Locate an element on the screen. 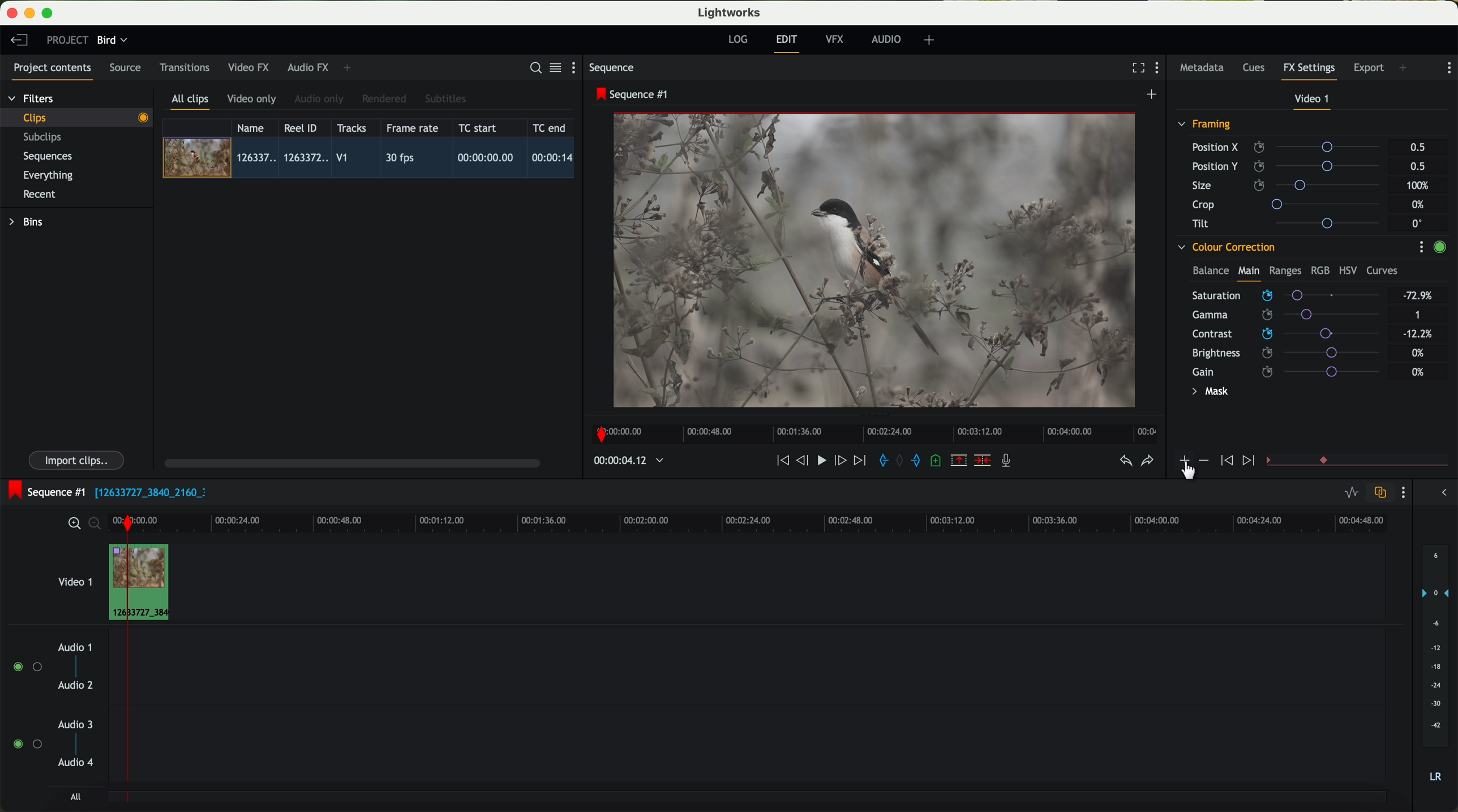  tilt is located at coordinates (1291, 223).